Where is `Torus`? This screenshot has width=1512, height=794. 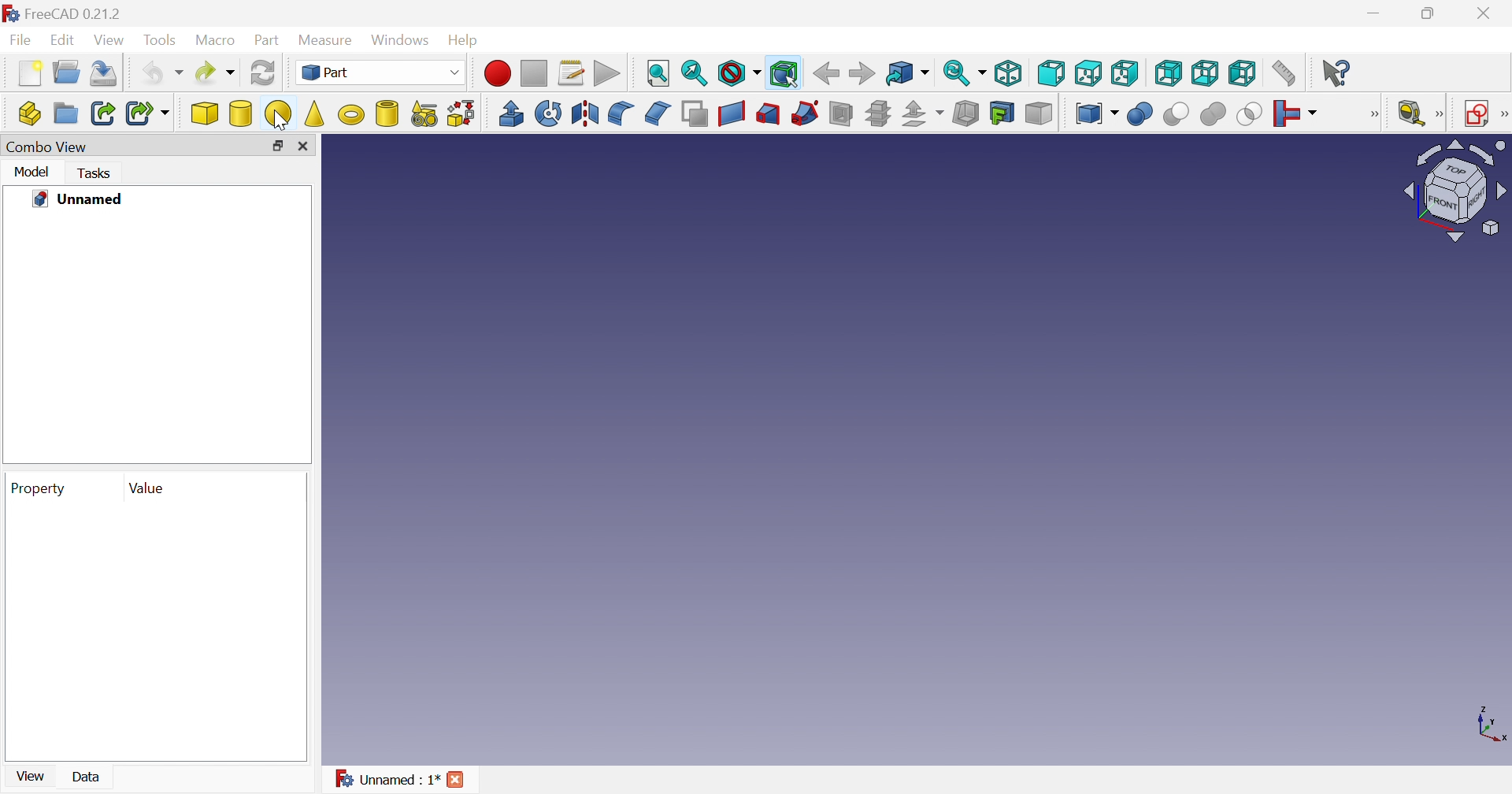 Torus is located at coordinates (350, 113).